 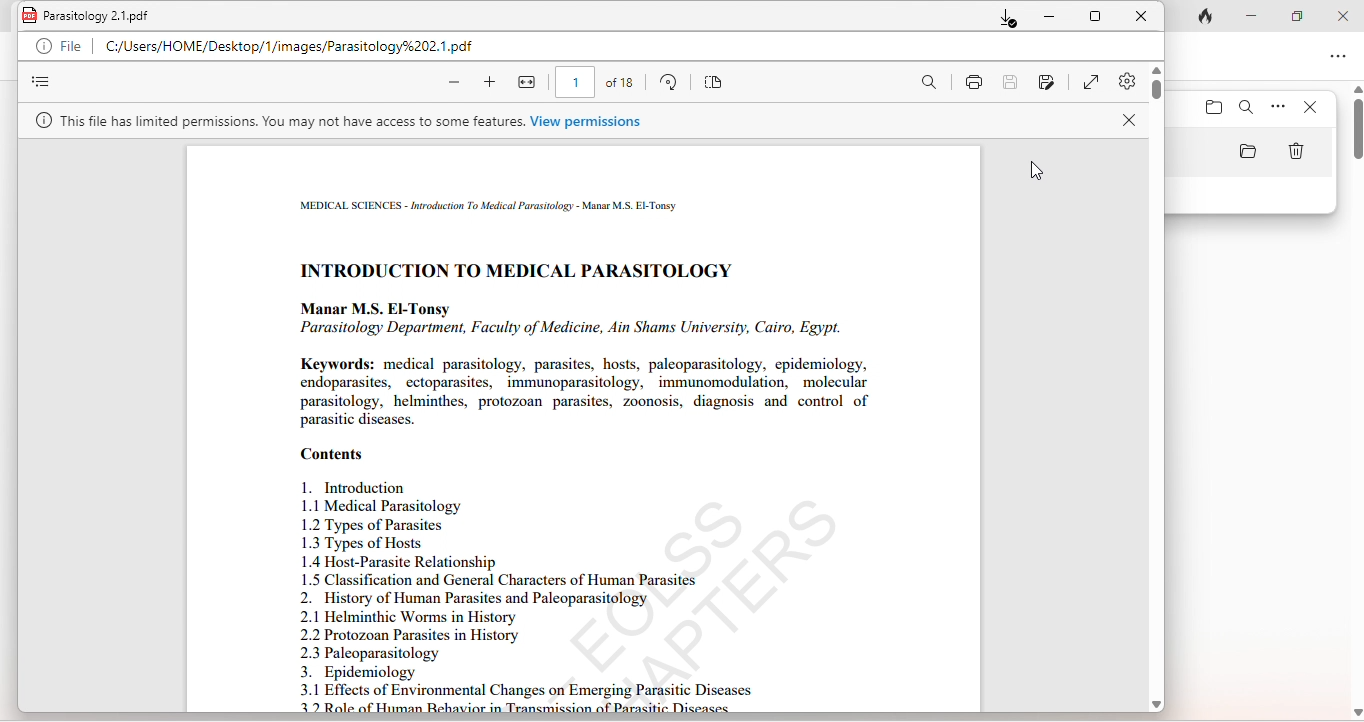 What do you see at coordinates (1125, 83) in the screenshot?
I see `settings` at bounding box center [1125, 83].